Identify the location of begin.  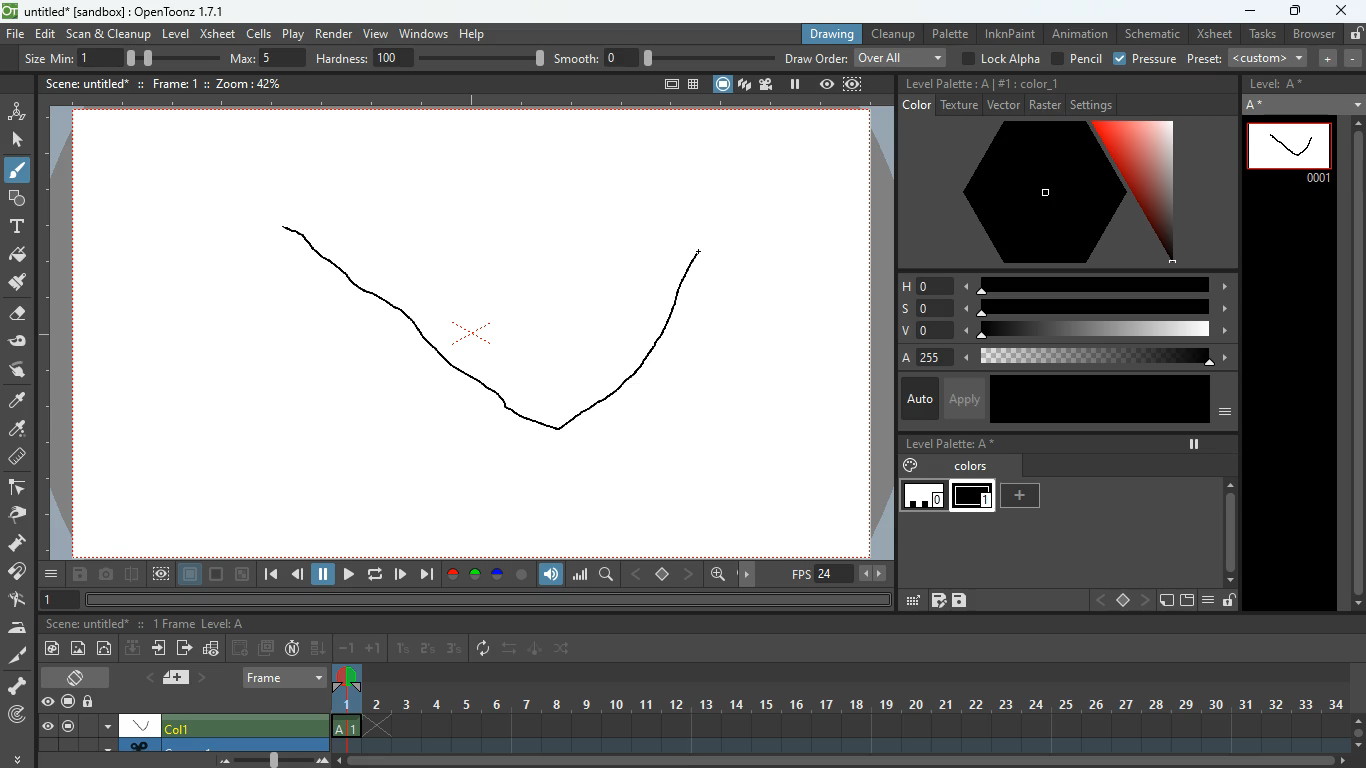
(270, 576).